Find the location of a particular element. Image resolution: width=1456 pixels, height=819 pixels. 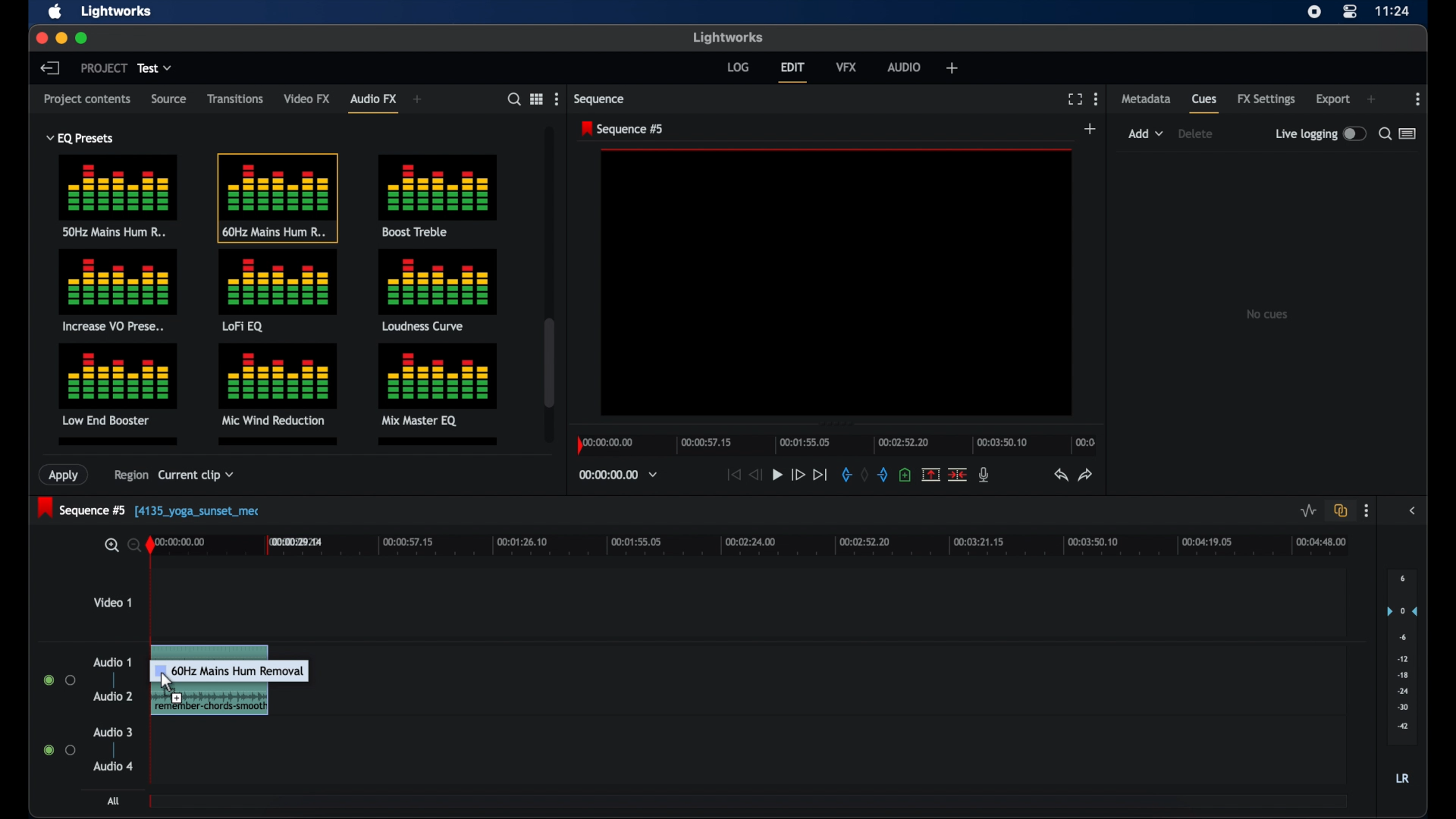

add is located at coordinates (952, 67).